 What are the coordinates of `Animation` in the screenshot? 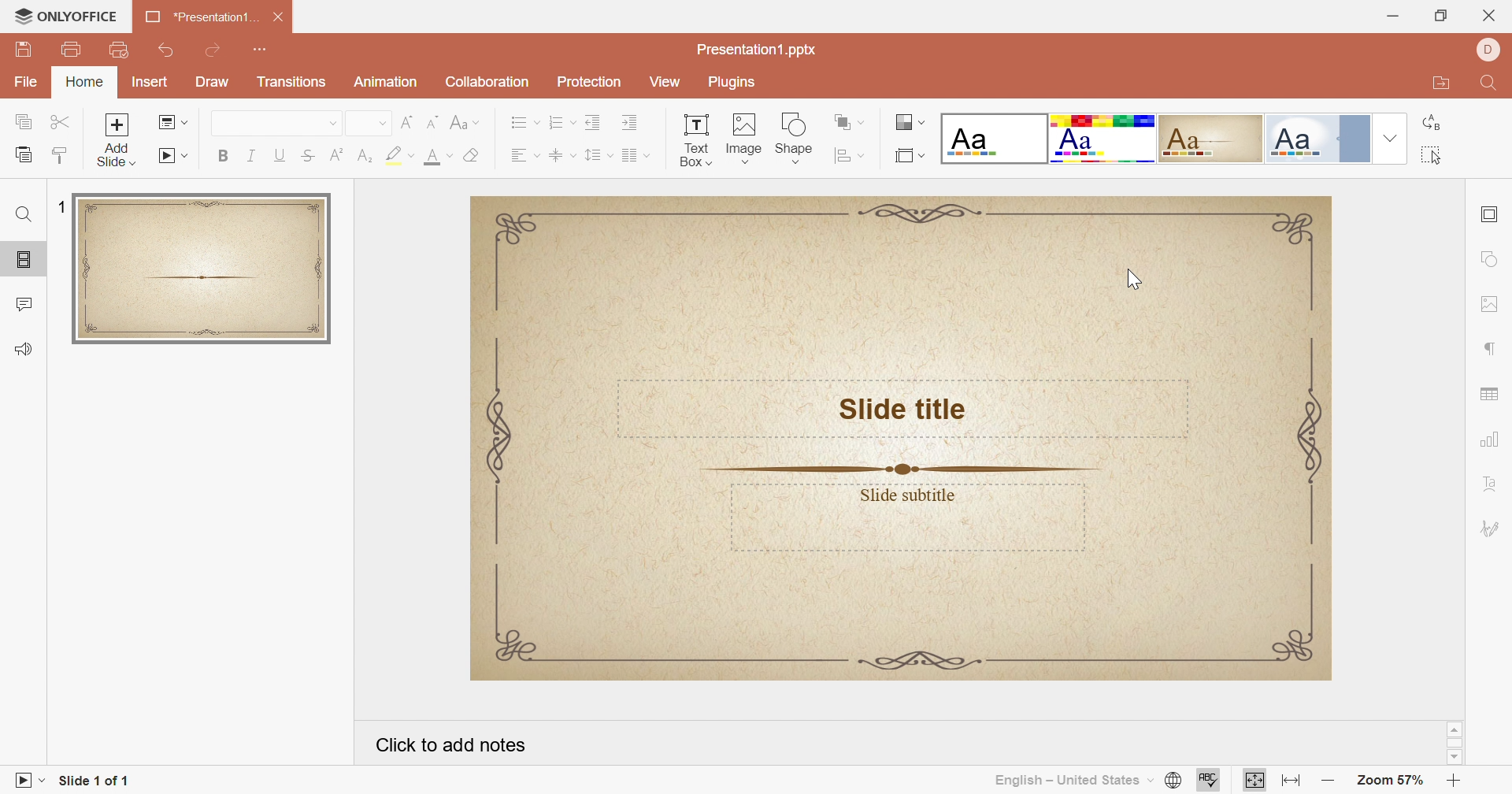 It's located at (386, 82).